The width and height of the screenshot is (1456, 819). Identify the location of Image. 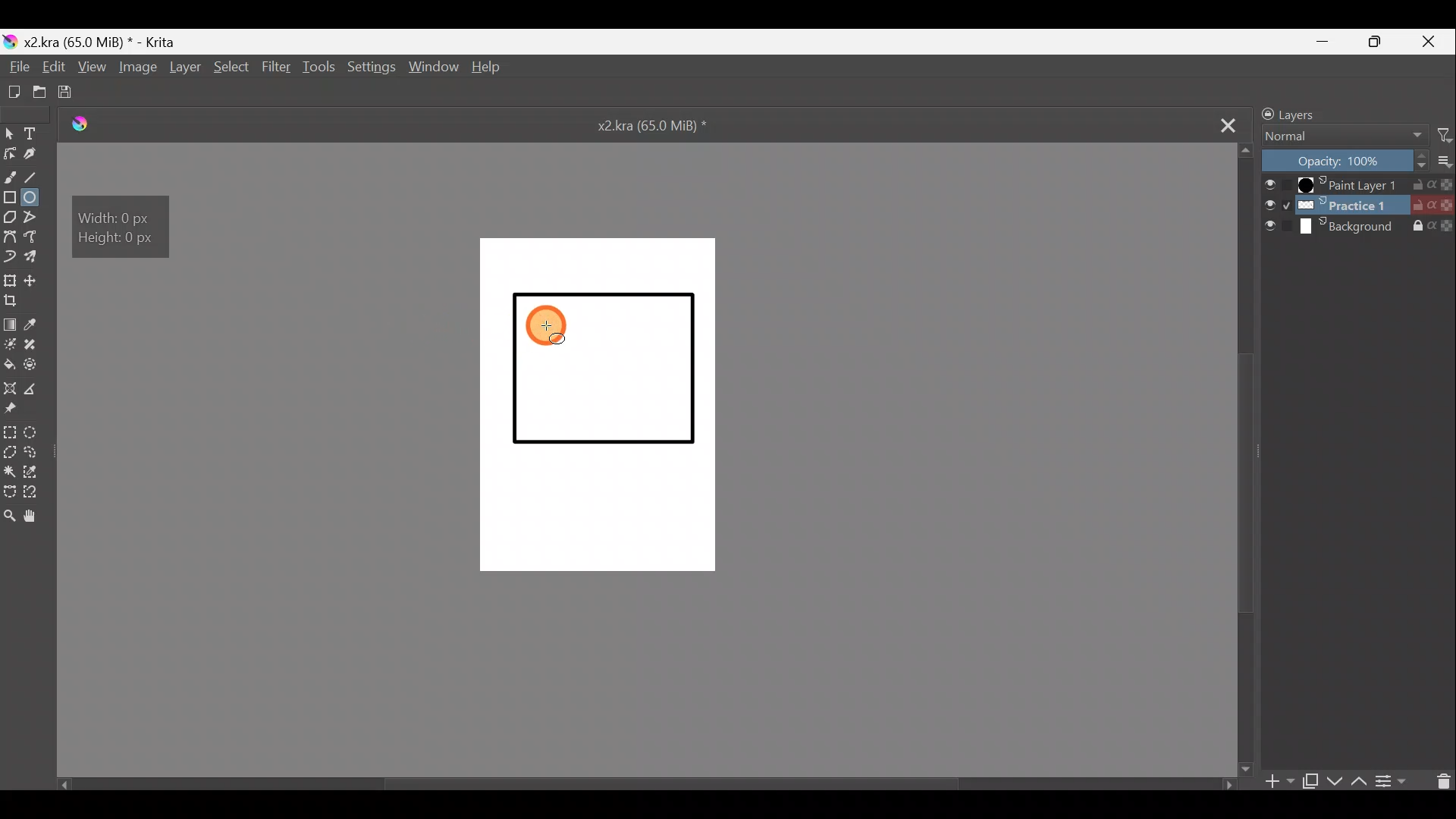
(139, 69).